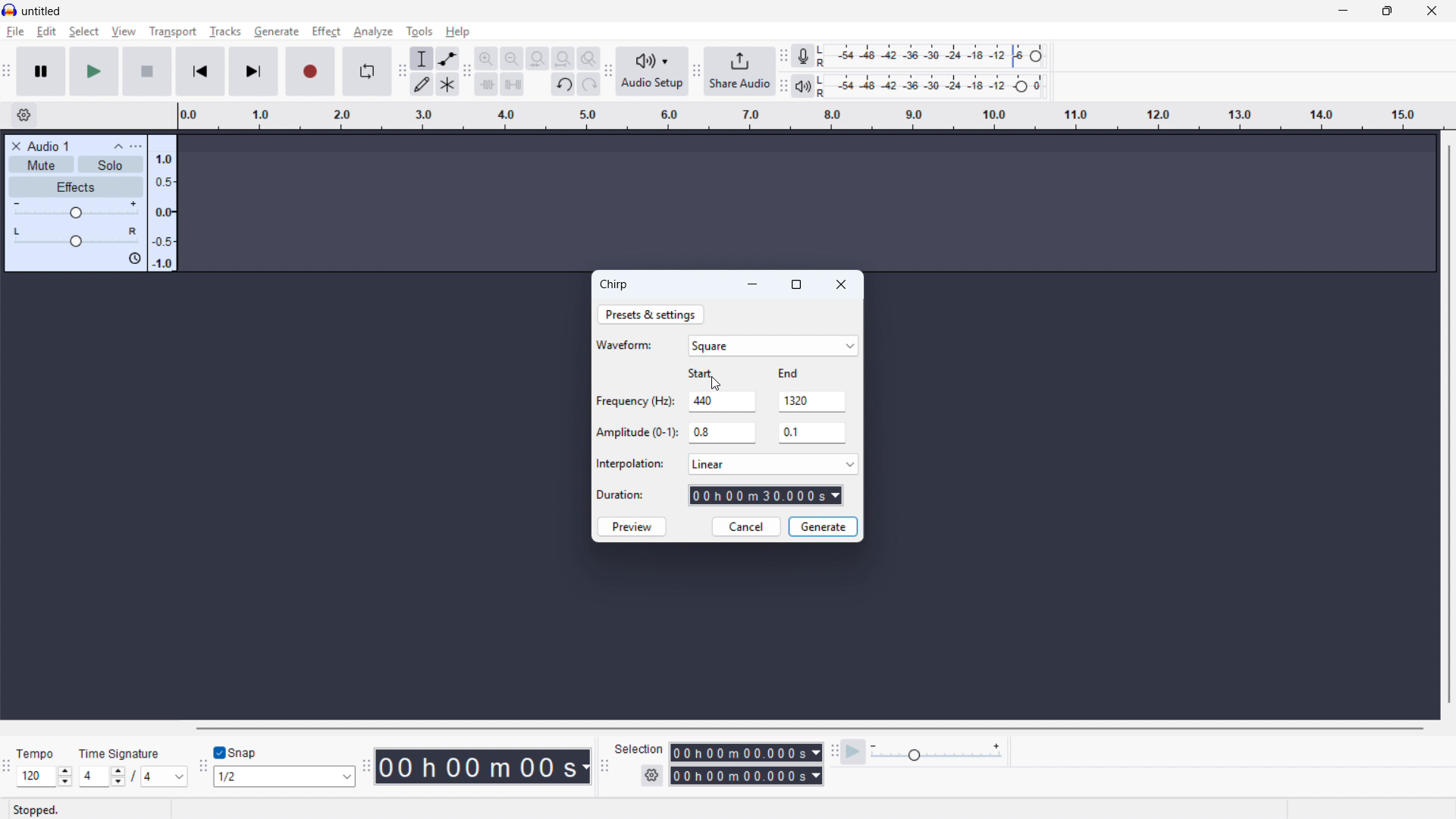 This screenshot has width=1456, height=819. Describe the element at coordinates (422, 58) in the screenshot. I see `Selection tool` at that location.